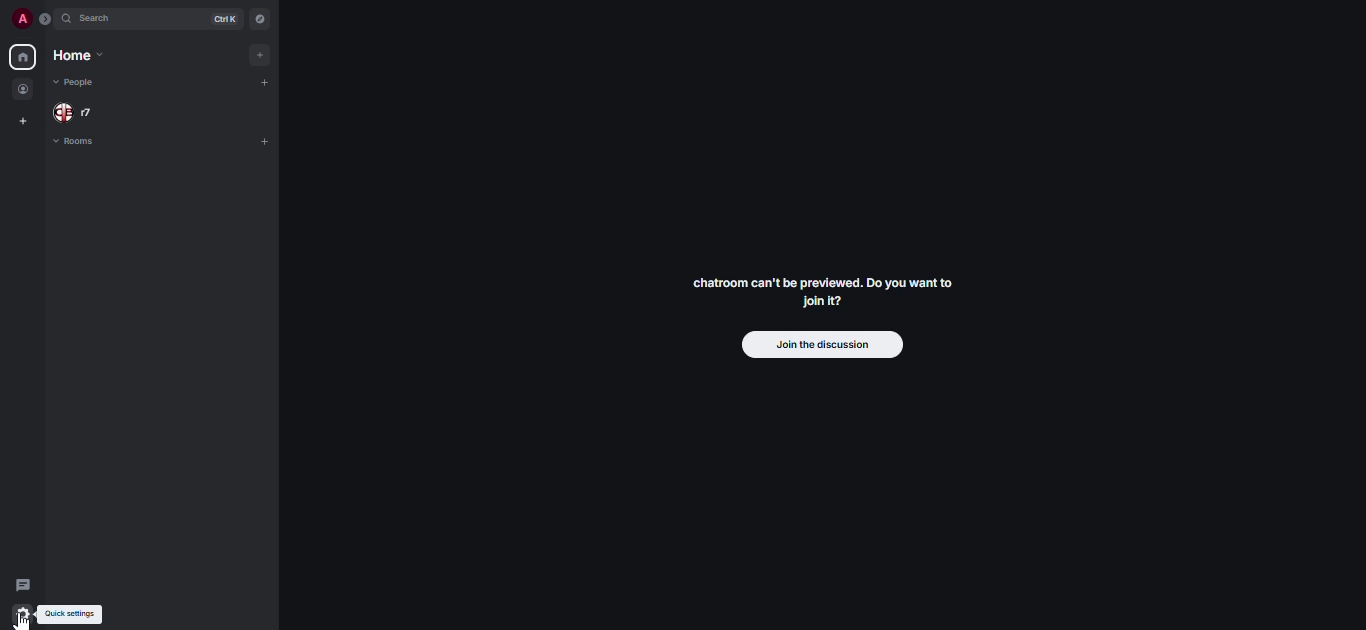  Describe the element at coordinates (822, 345) in the screenshot. I see `join the discussion` at that location.